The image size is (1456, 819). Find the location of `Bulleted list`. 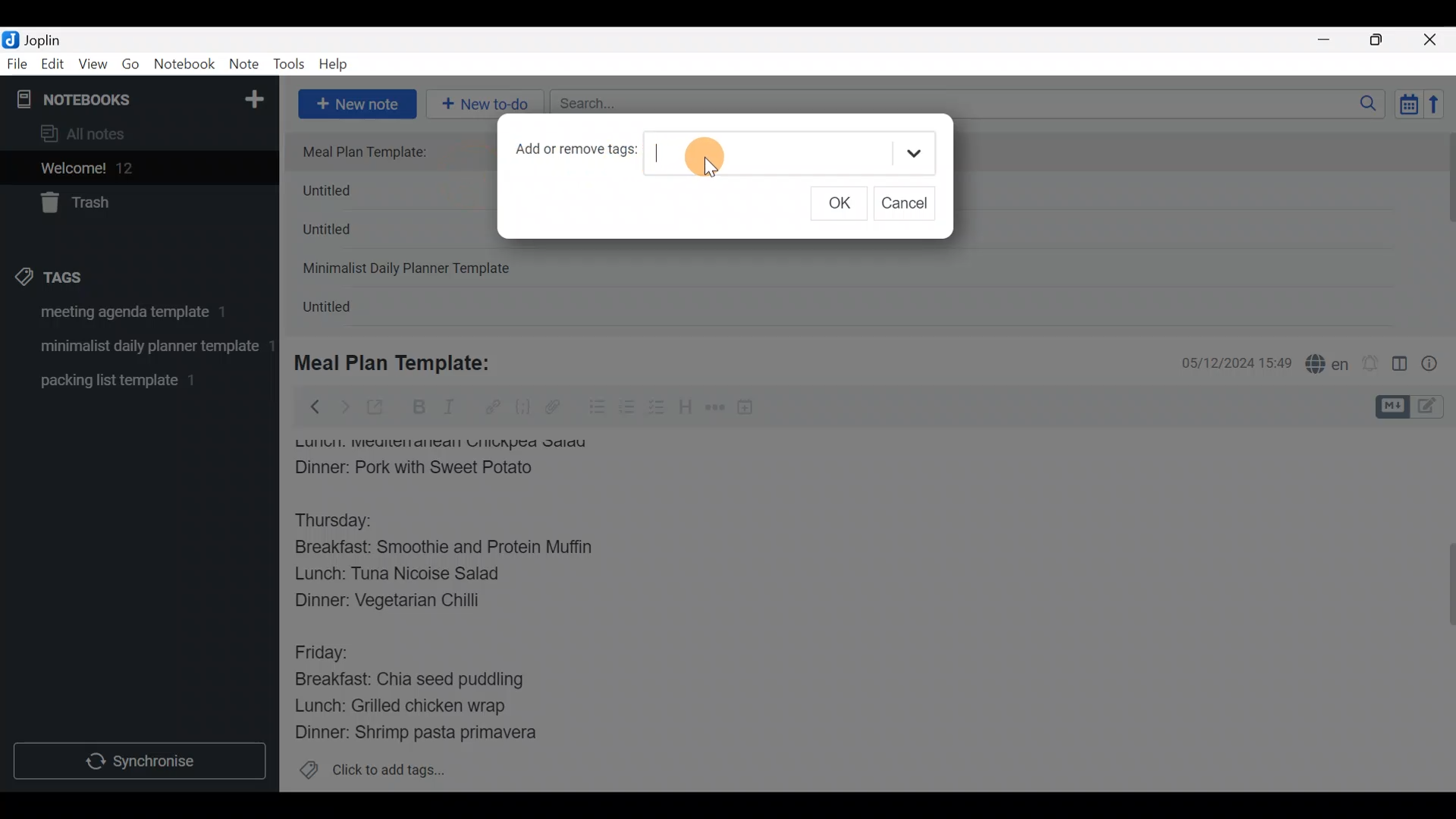

Bulleted list is located at coordinates (594, 408).